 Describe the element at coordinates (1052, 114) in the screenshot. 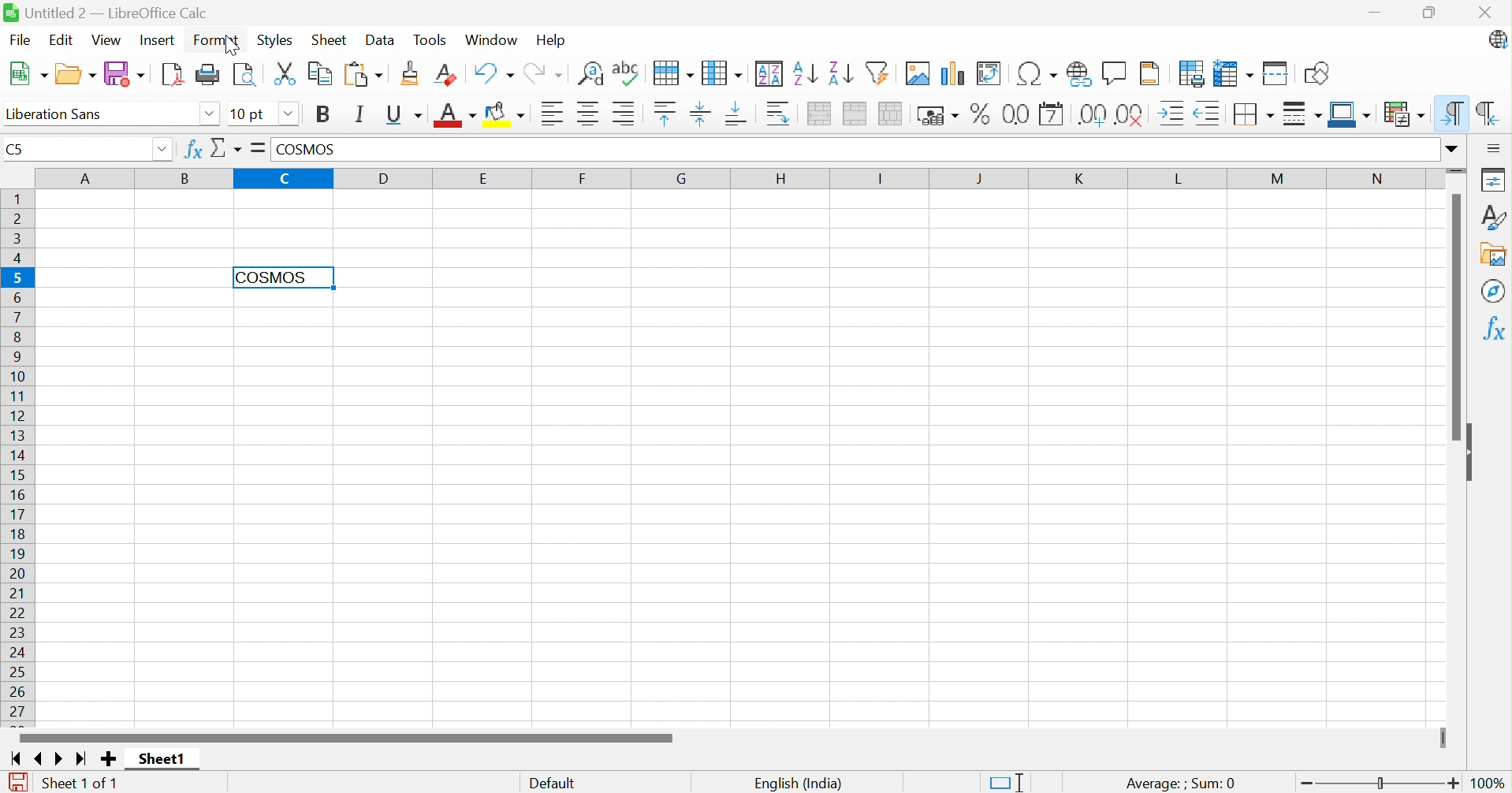

I see `Format as Date` at that location.